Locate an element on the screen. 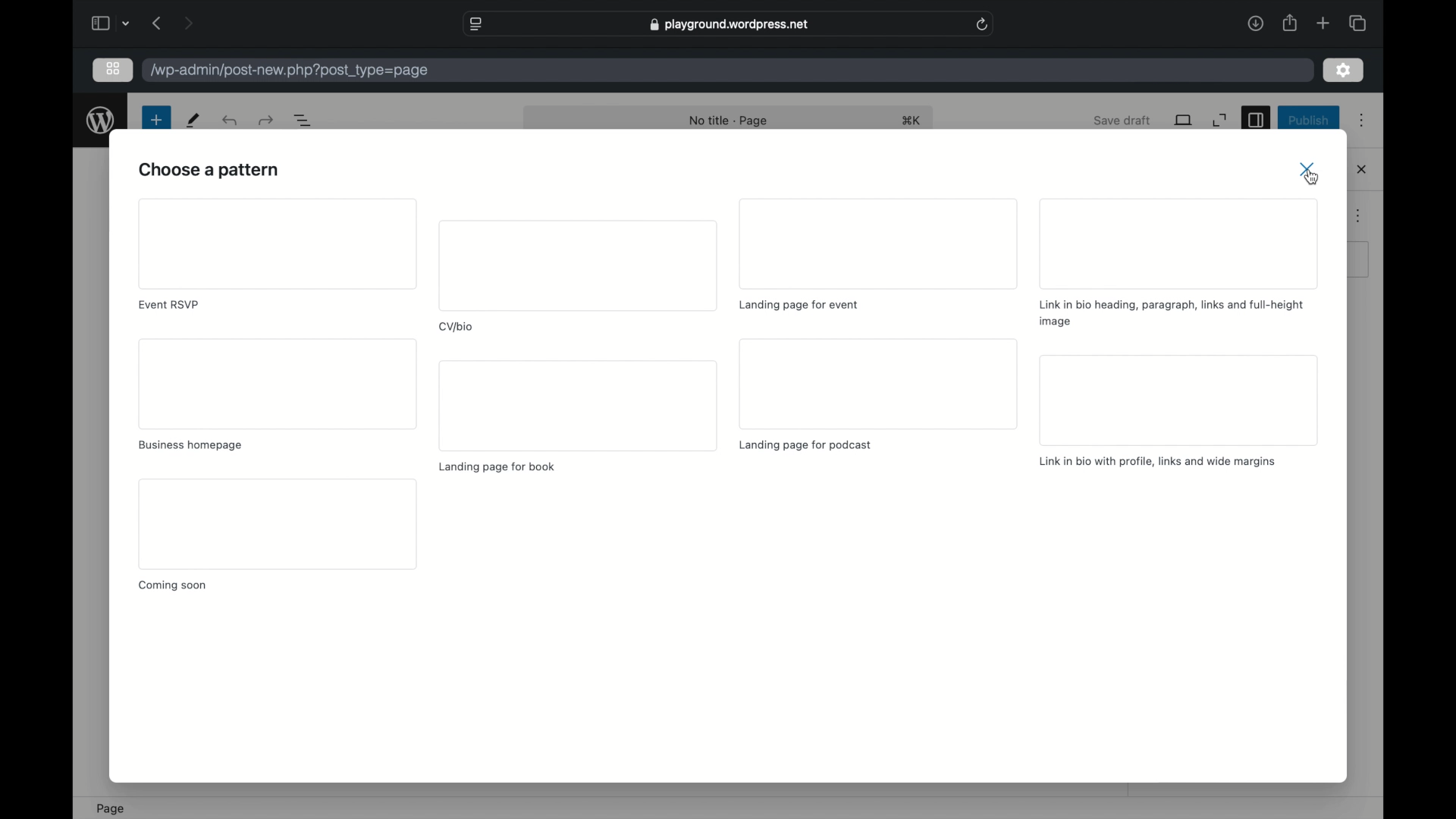 The image size is (1456, 819). refresh is located at coordinates (983, 24).